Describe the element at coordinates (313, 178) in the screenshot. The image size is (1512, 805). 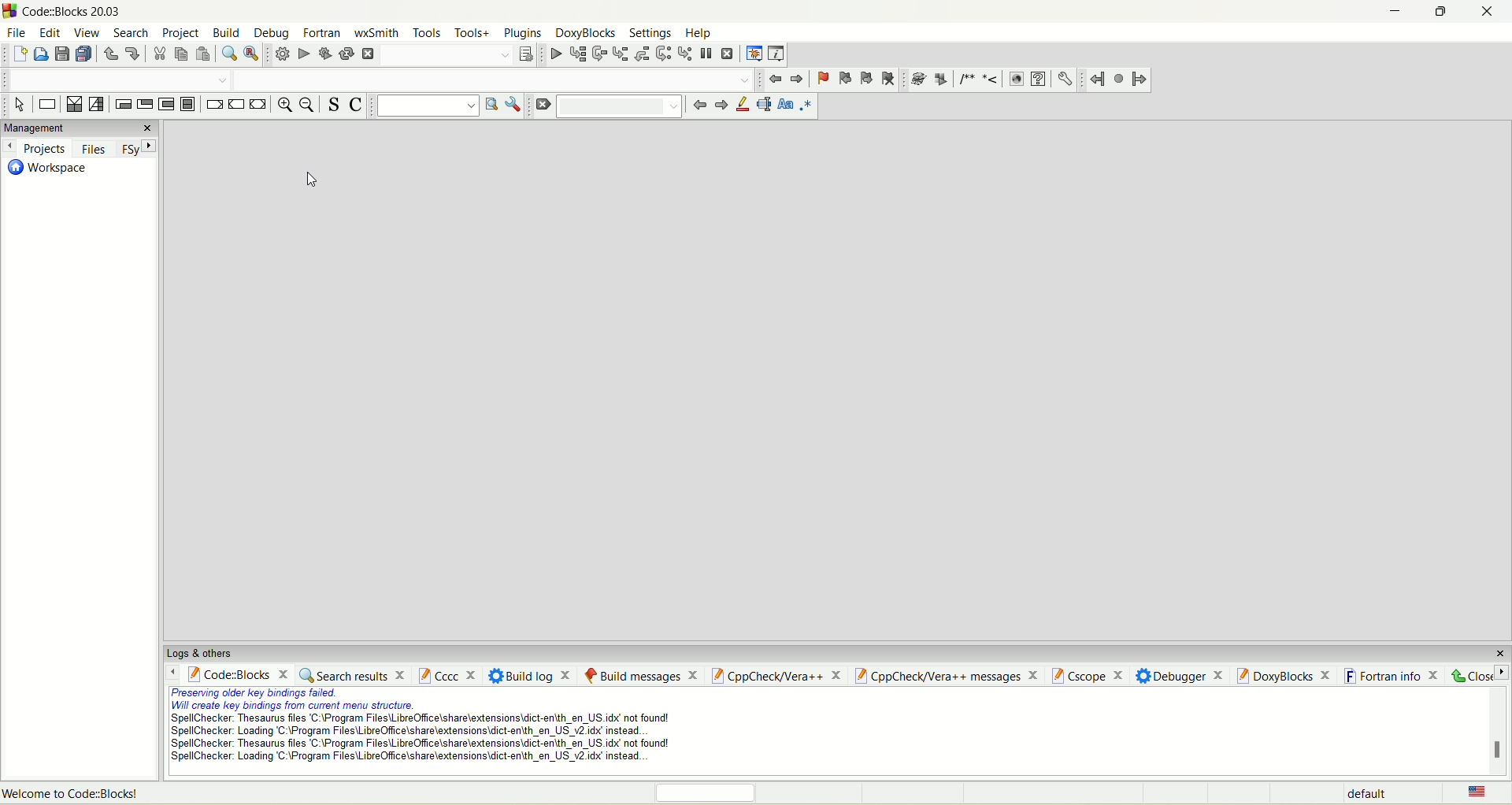
I see `Cursor` at that location.